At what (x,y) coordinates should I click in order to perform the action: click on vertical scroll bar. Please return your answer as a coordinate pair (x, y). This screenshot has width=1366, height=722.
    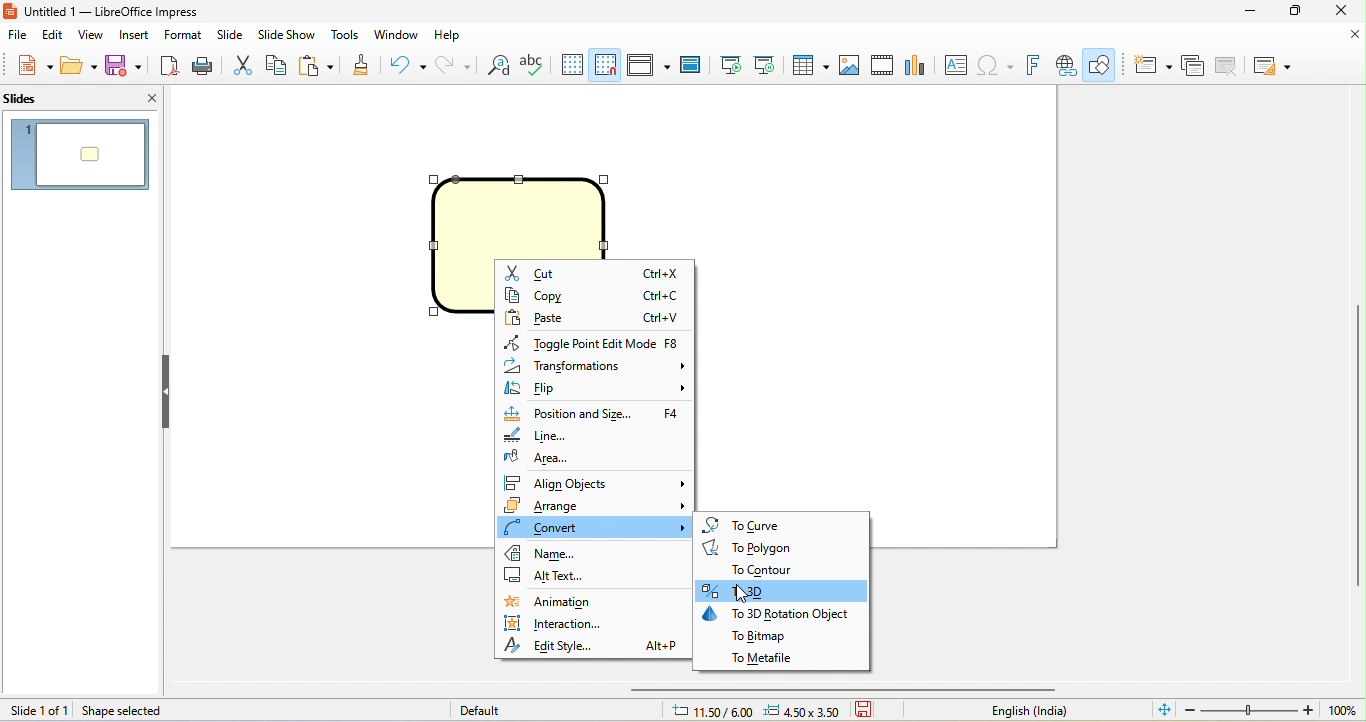
    Looking at the image, I should click on (1357, 447).